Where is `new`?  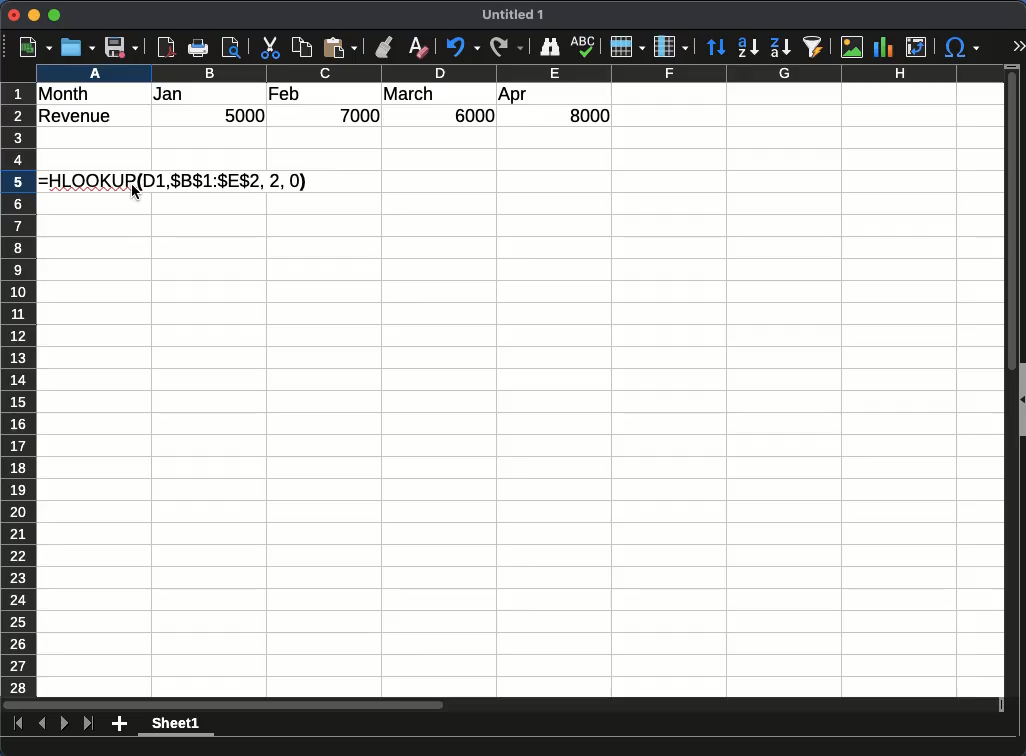
new is located at coordinates (36, 47).